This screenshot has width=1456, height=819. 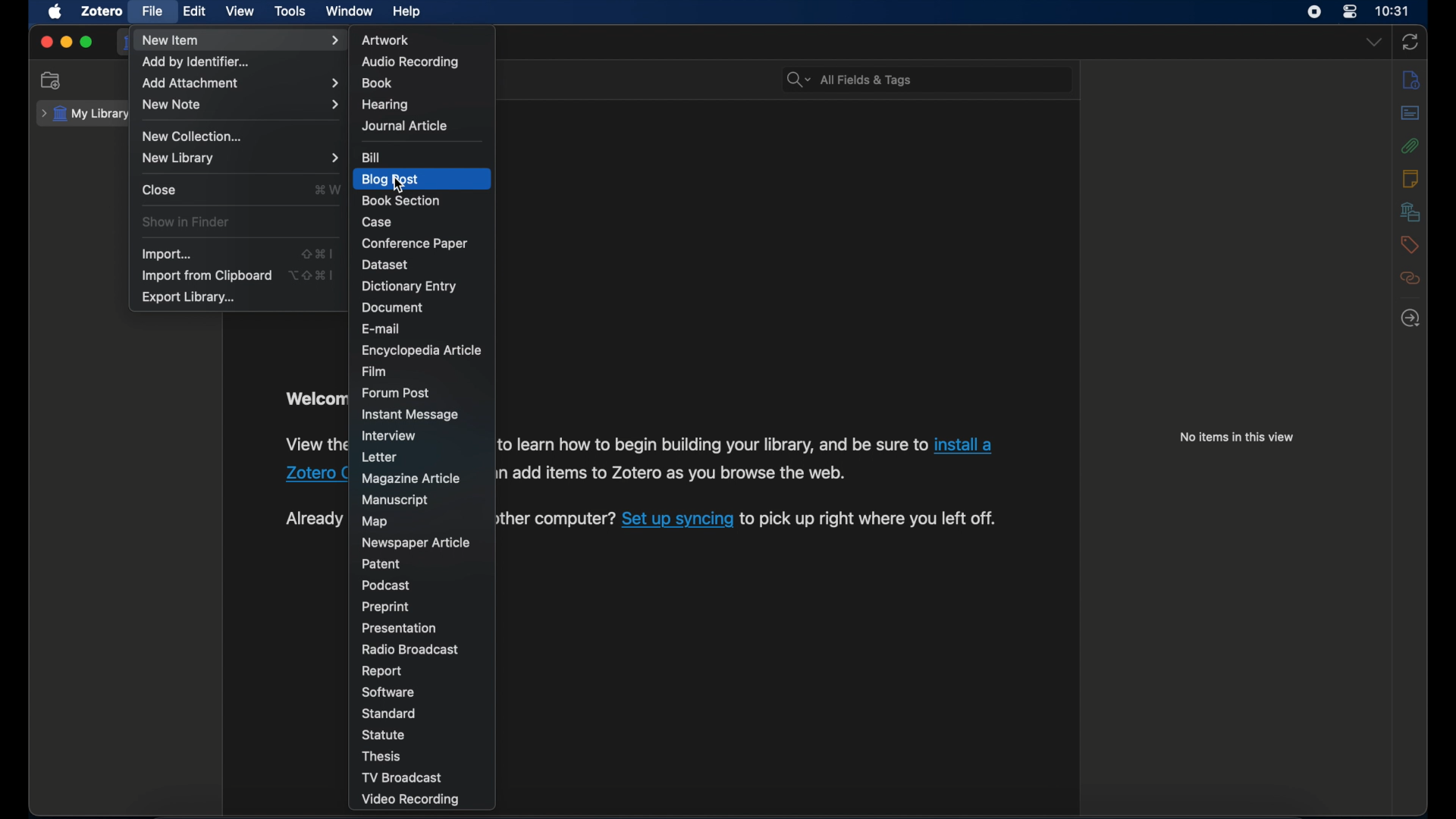 What do you see at coordinates (242, 104) in the screenshot?
I see `new note` at bounding box center [242, 104].